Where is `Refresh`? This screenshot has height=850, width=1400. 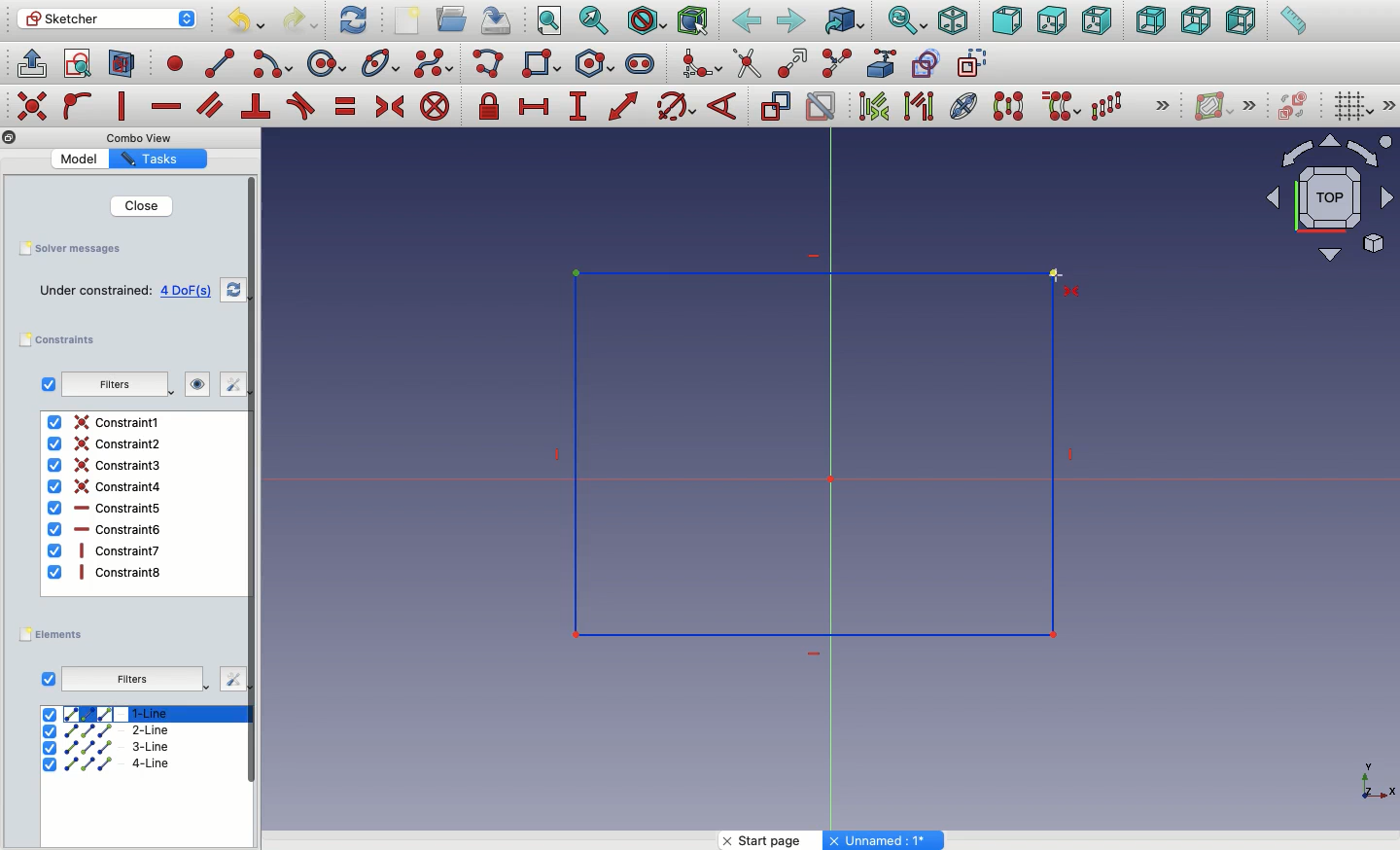 Refresh is located at coordinates (353, 18).